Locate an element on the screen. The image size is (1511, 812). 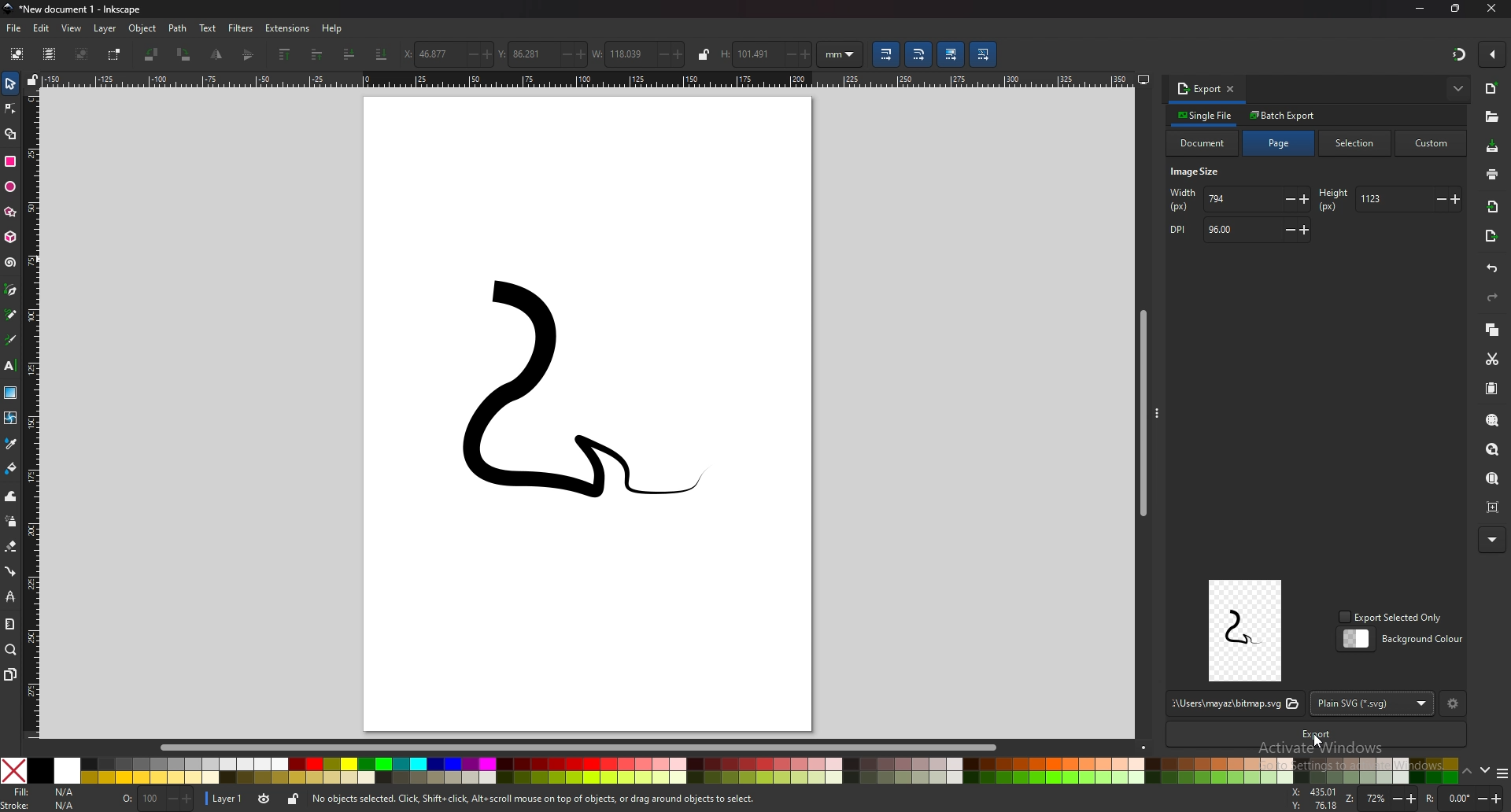
eraser is located at coordinates (11, 547).